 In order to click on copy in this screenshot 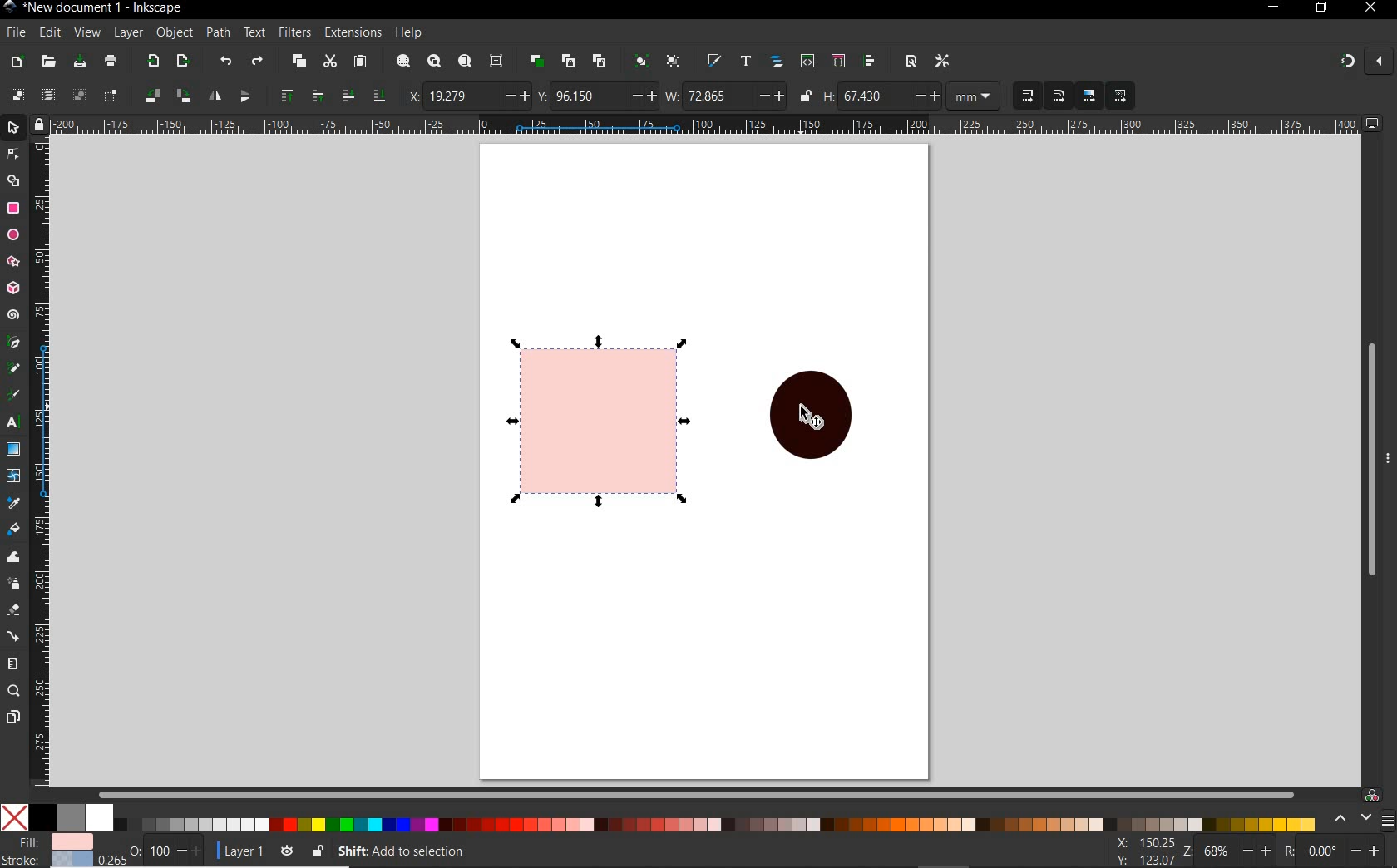, I will do `click(299, 62)`.